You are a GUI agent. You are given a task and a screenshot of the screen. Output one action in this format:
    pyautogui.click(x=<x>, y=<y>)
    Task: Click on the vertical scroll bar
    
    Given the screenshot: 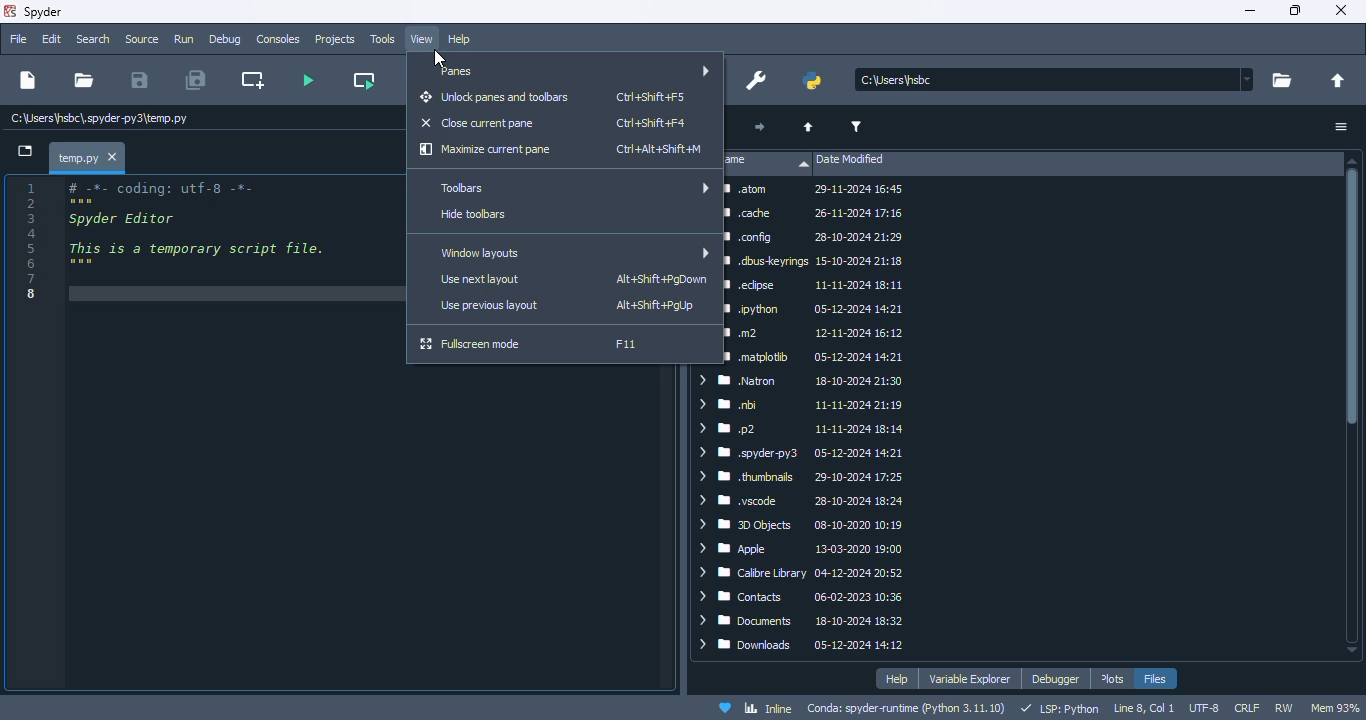 What is the action you would take?
    pyautogui.click(x=1352, y=405)
    